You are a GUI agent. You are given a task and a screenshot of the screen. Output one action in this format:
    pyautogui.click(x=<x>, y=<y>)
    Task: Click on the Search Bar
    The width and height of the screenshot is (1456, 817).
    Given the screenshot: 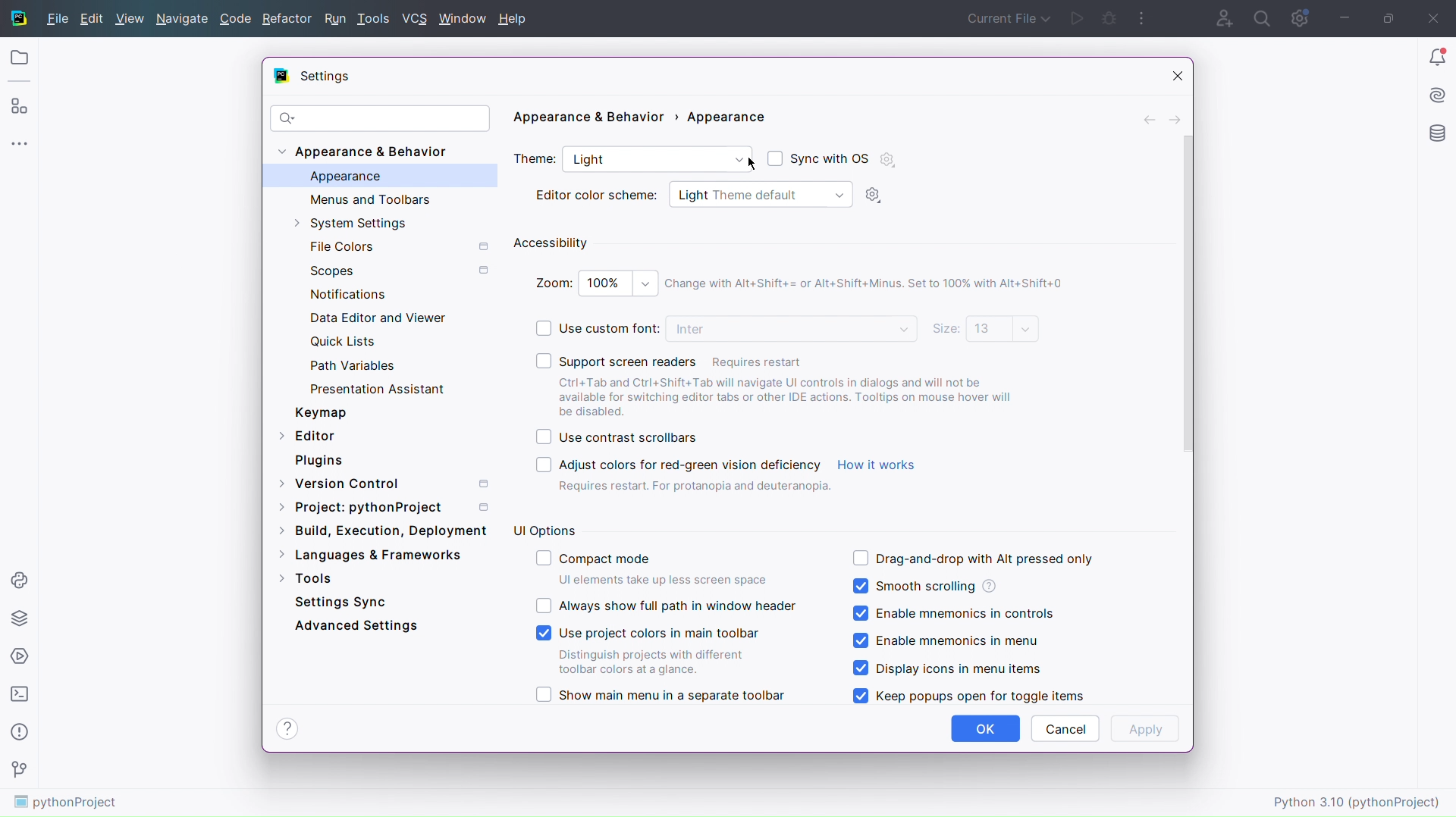 What is the action you would take?
    pyautogui.click(x=380, y=118)
    